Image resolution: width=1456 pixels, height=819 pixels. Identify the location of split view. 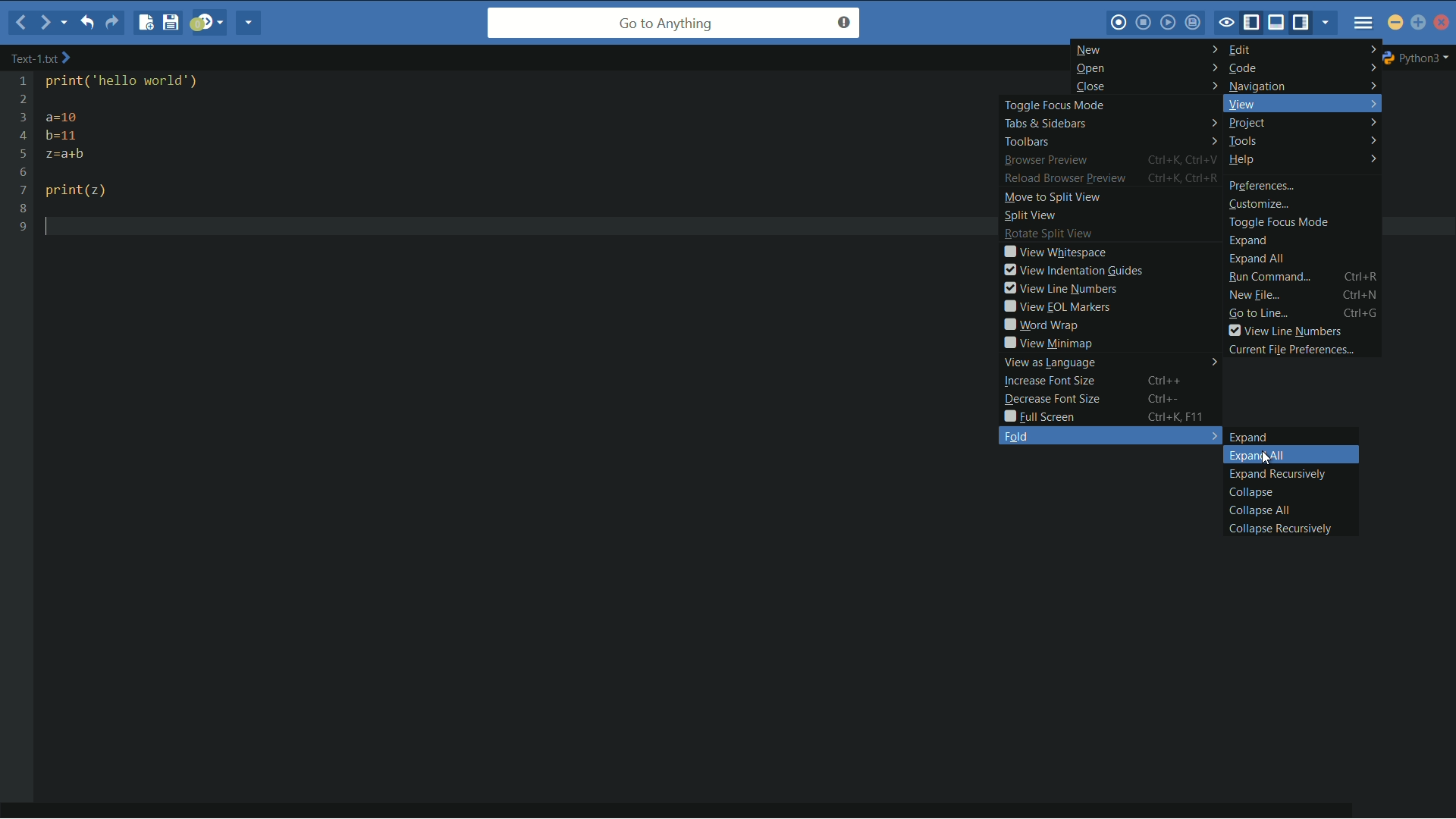
(1031, 217).